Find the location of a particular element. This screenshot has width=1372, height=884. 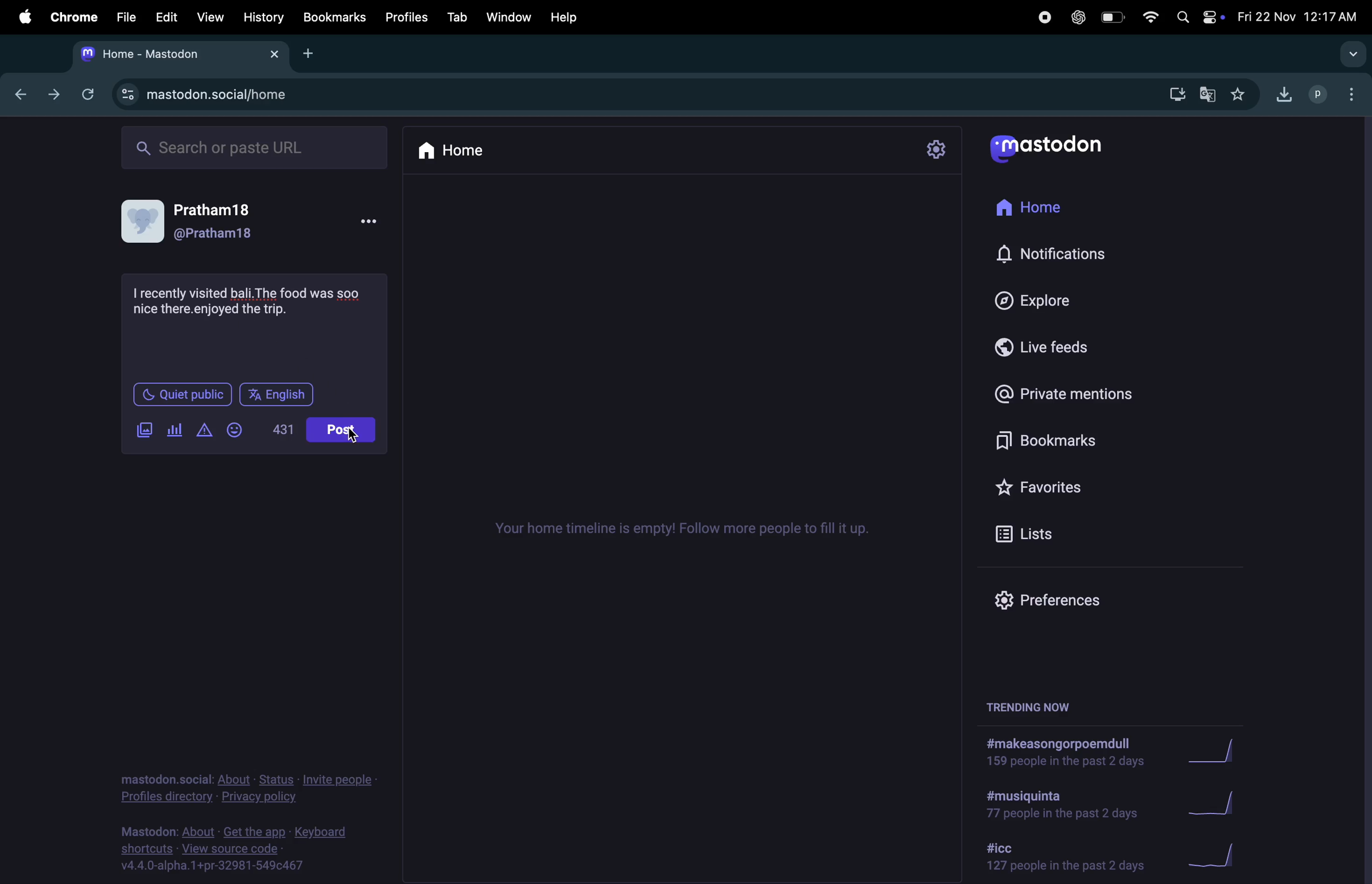

privacy policy is located at coordinates (240, 790).